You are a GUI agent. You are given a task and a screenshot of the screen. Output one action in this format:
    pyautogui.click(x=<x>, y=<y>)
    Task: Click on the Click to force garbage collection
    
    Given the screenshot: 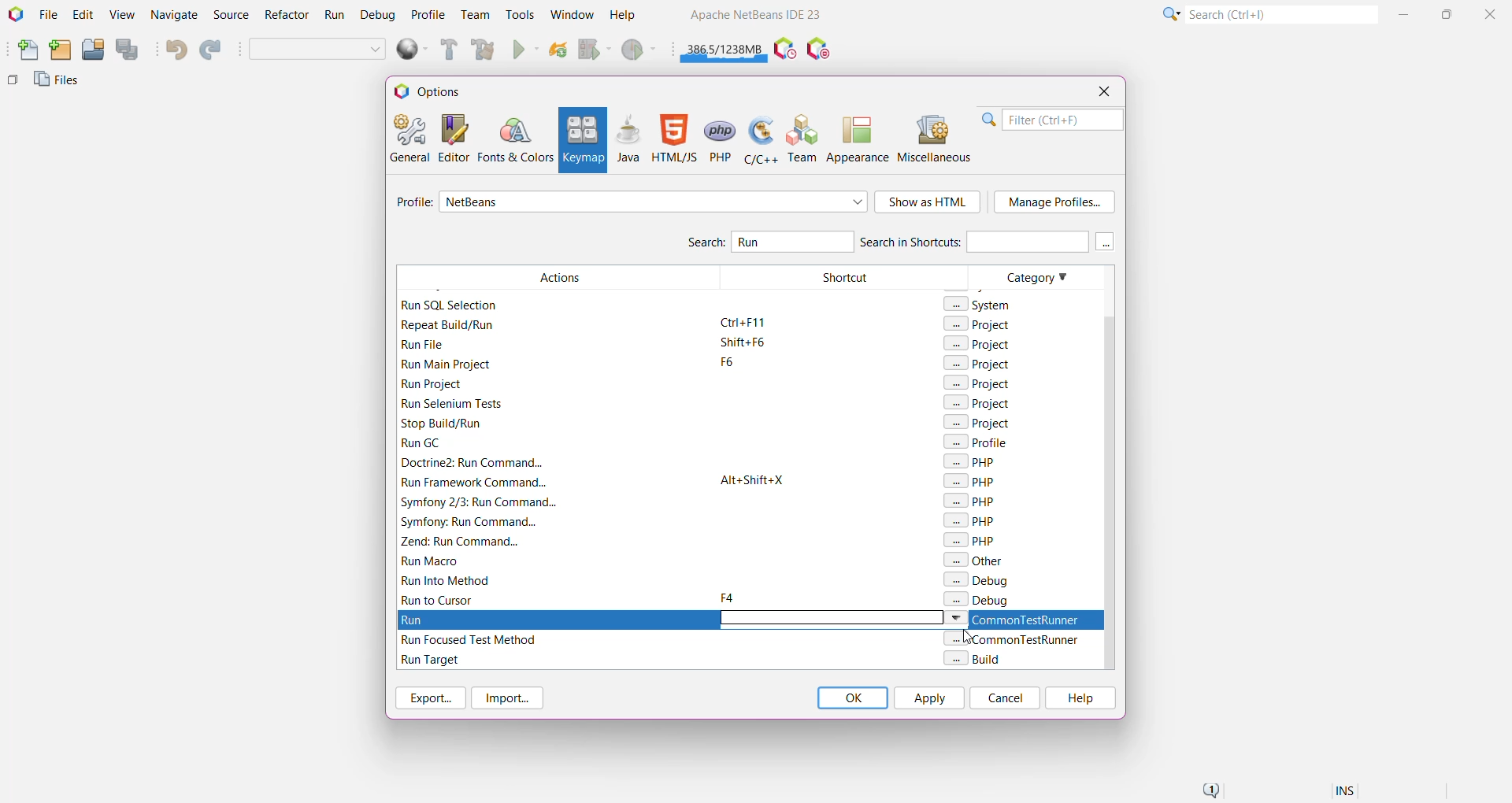 What is the action you would take?
    pyautogui.click(x=724, y=47)
    